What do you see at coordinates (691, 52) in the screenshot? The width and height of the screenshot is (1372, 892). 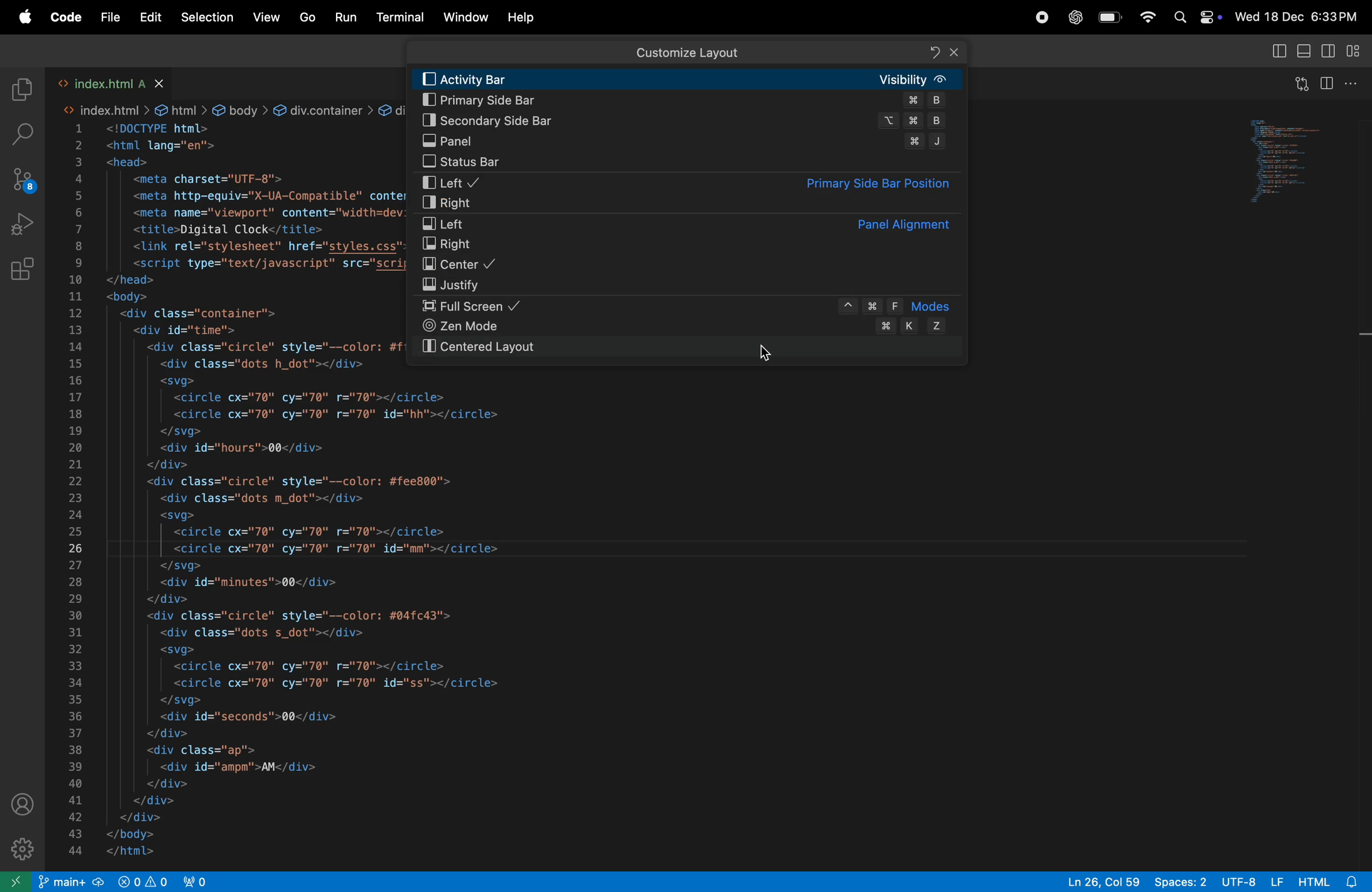 I see `Customize layout` at bounding box center [691, 52].